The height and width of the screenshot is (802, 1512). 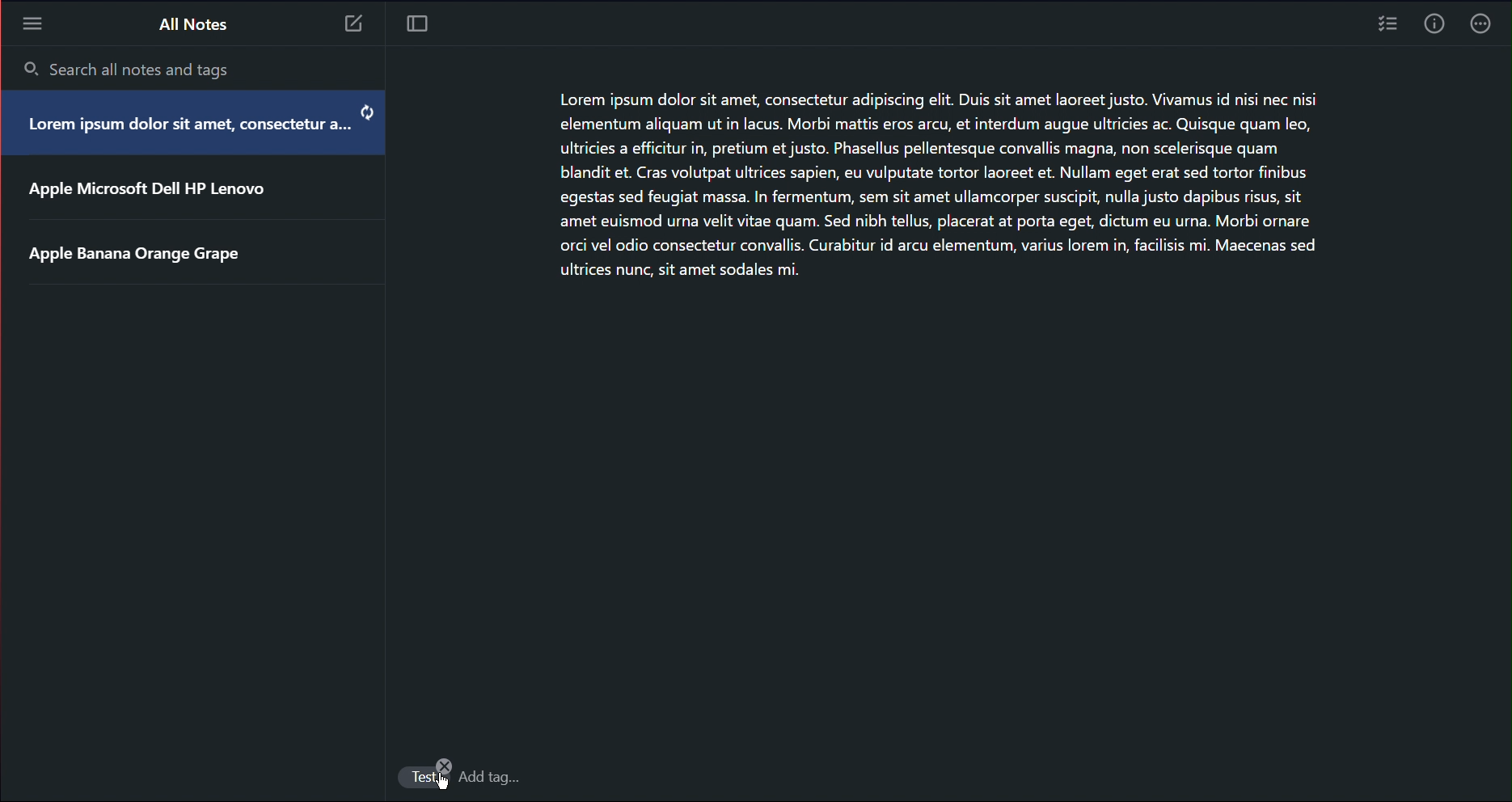 I want to click on Apple Banana Orange Grape, so click(x=138, y=255).